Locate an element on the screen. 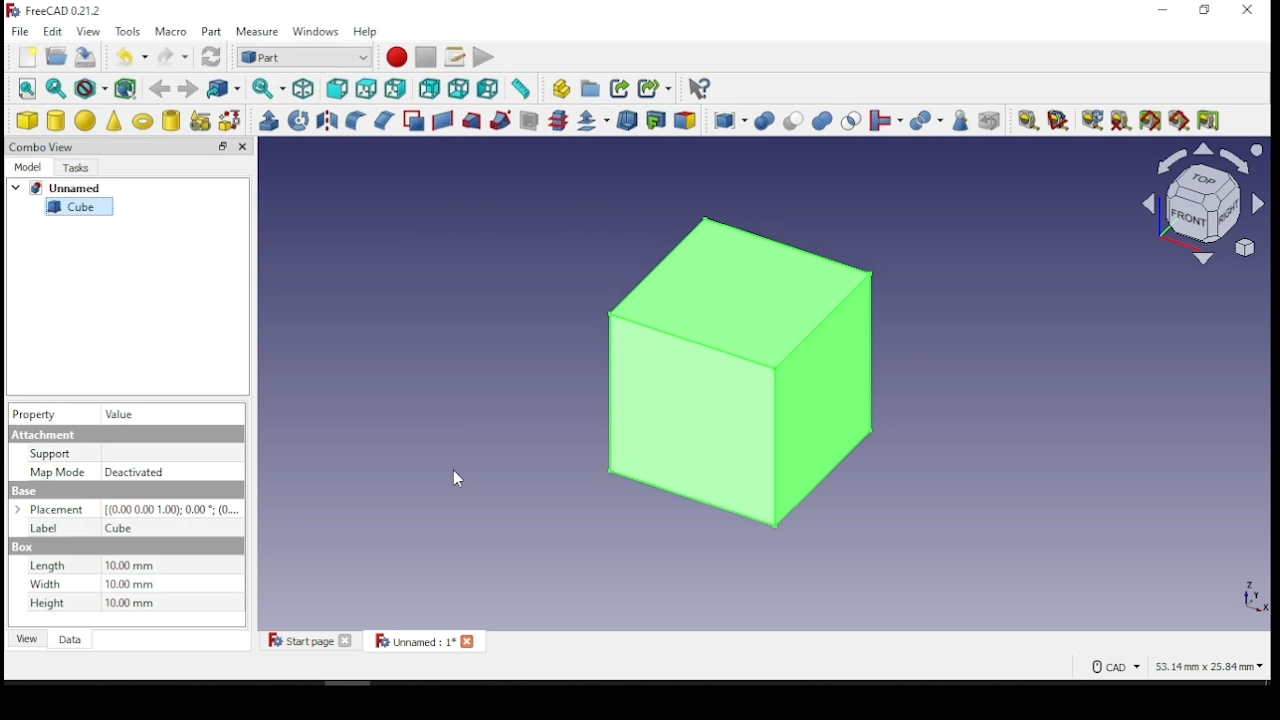 This screenshot has height=720, width=1280. value is located at coordinates (130, 414).